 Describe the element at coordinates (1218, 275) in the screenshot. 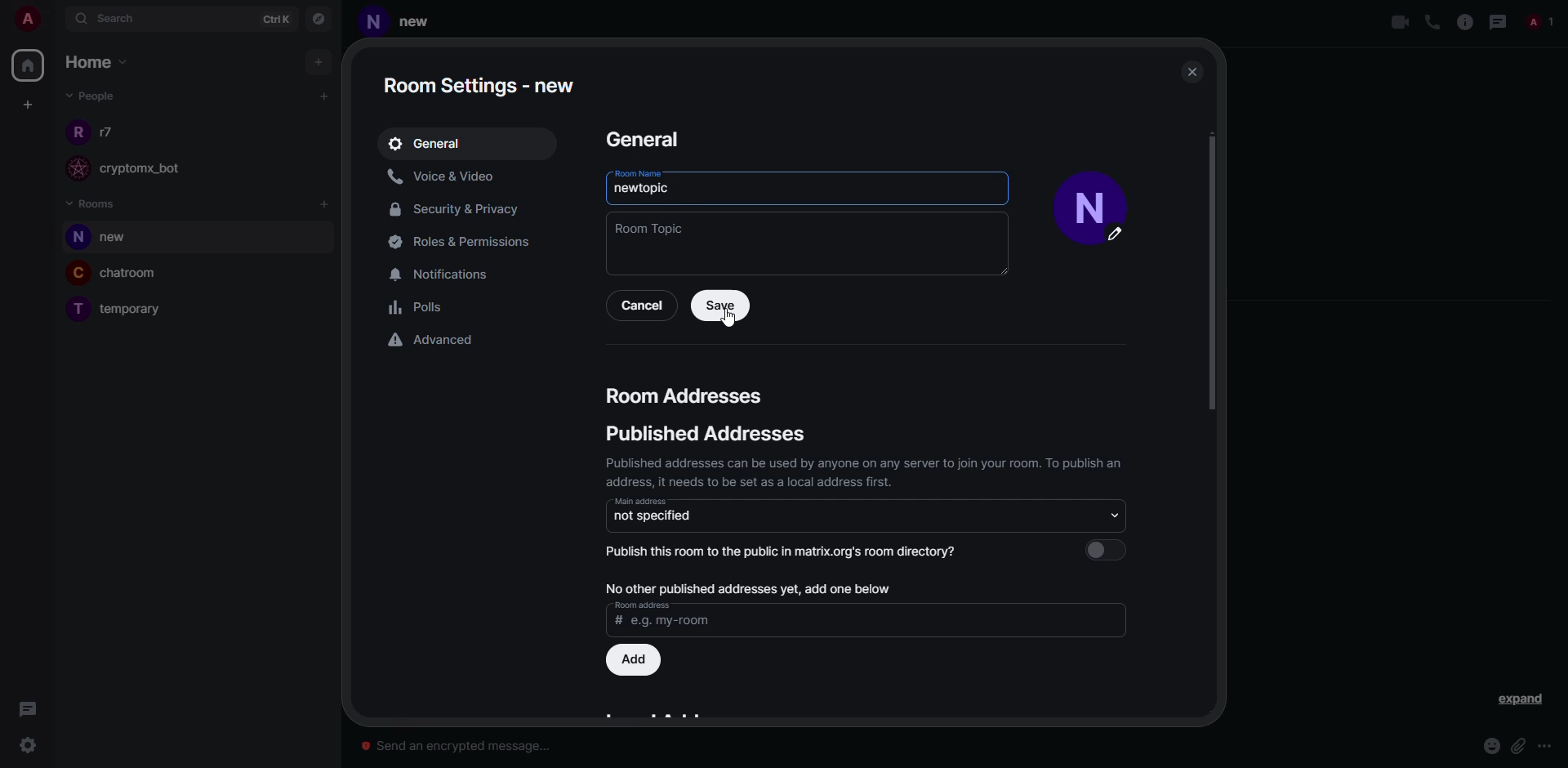

I see `scroll bar` at that location.